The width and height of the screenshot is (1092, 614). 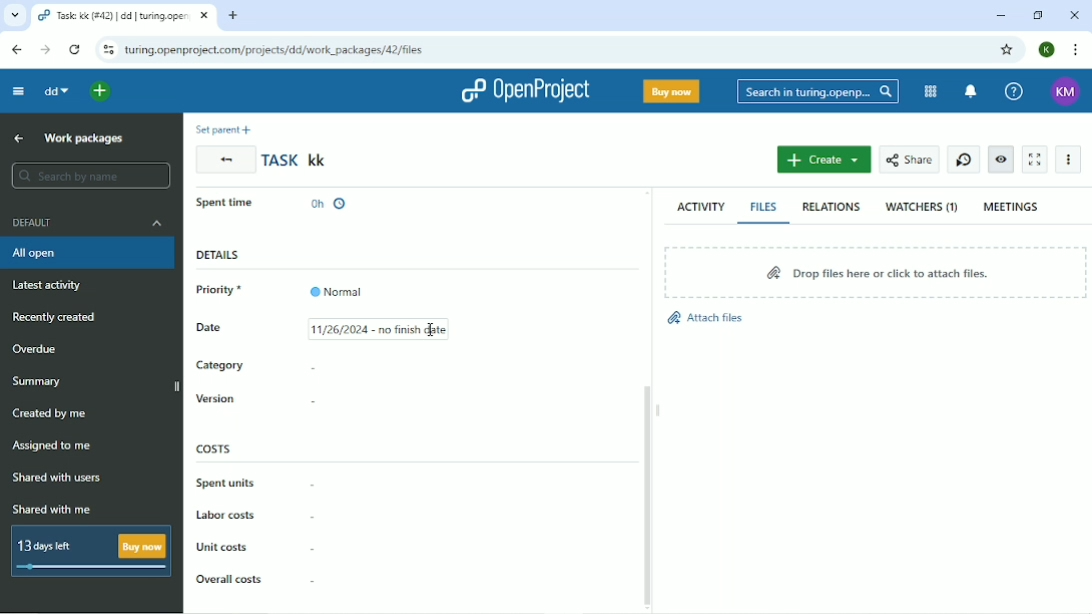 What do you see at coordinates (997, 16) in the screenshot?
I see `Minimize` at bounding box center [997, 16].